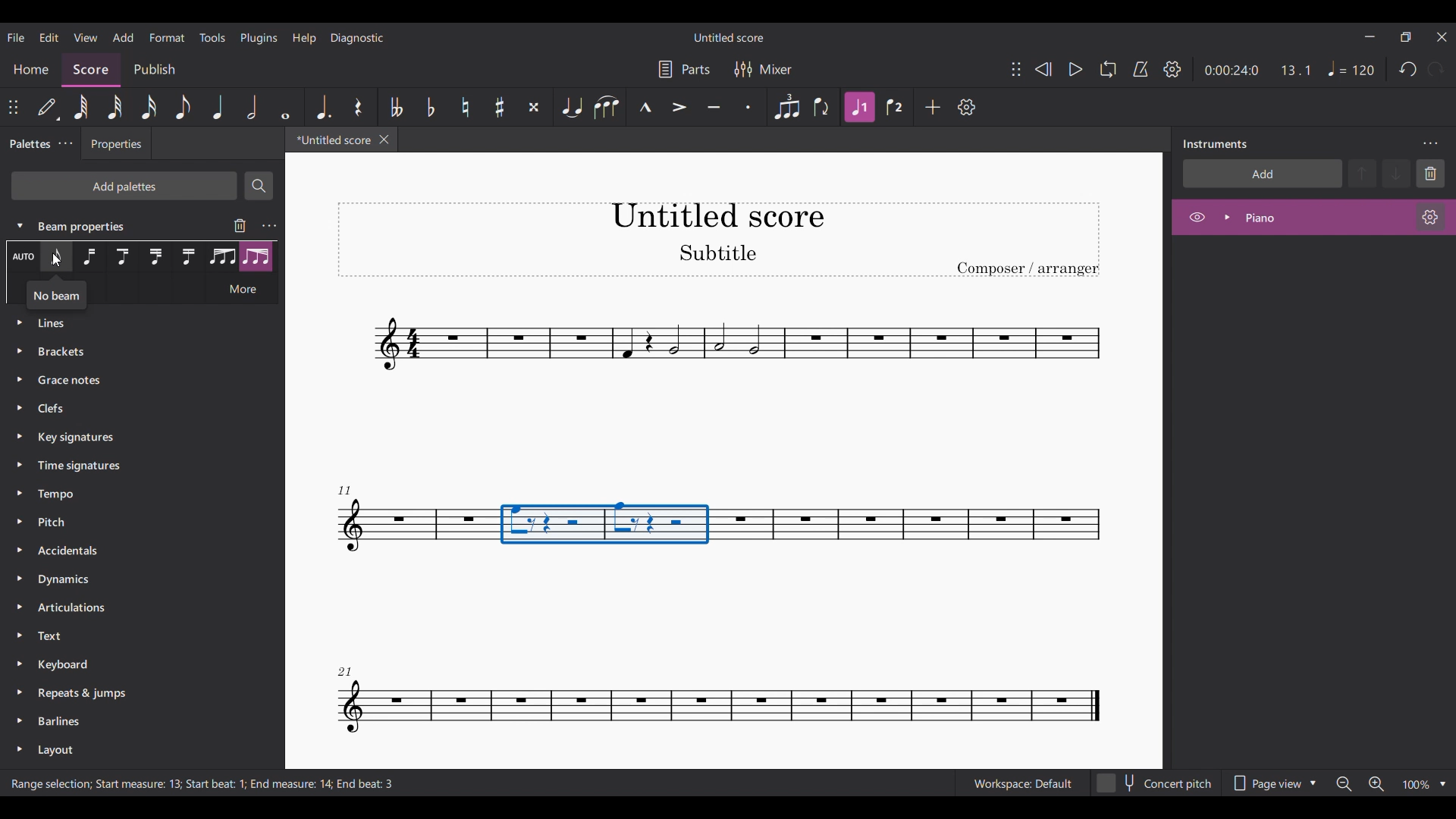  What do you see at coordinates (535, 107) in the screenshot?
I see `Toggle double sharp` at bounding box center [535, 107].